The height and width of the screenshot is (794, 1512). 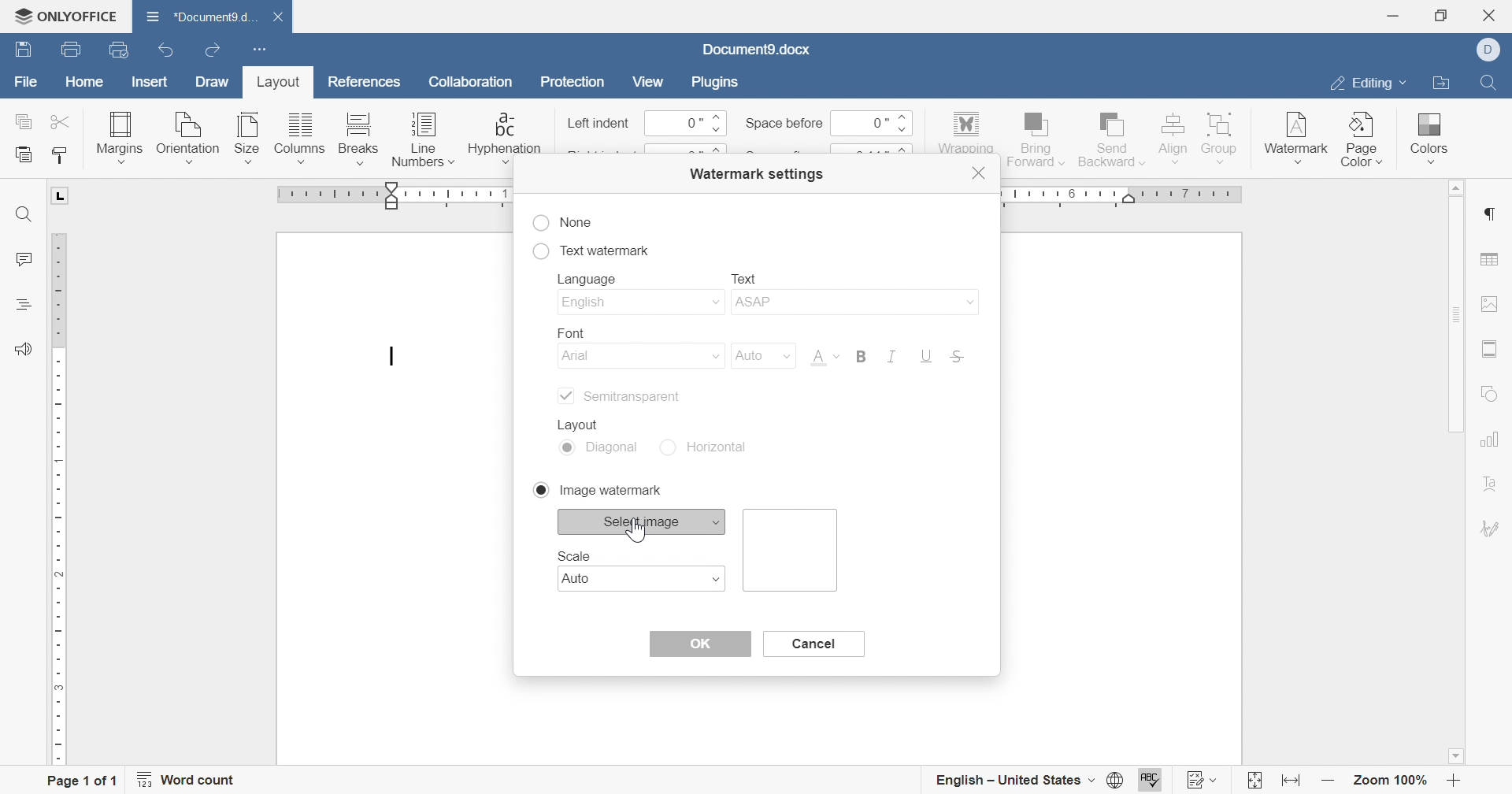 I want to click on layout, so click(x=584, y=422).